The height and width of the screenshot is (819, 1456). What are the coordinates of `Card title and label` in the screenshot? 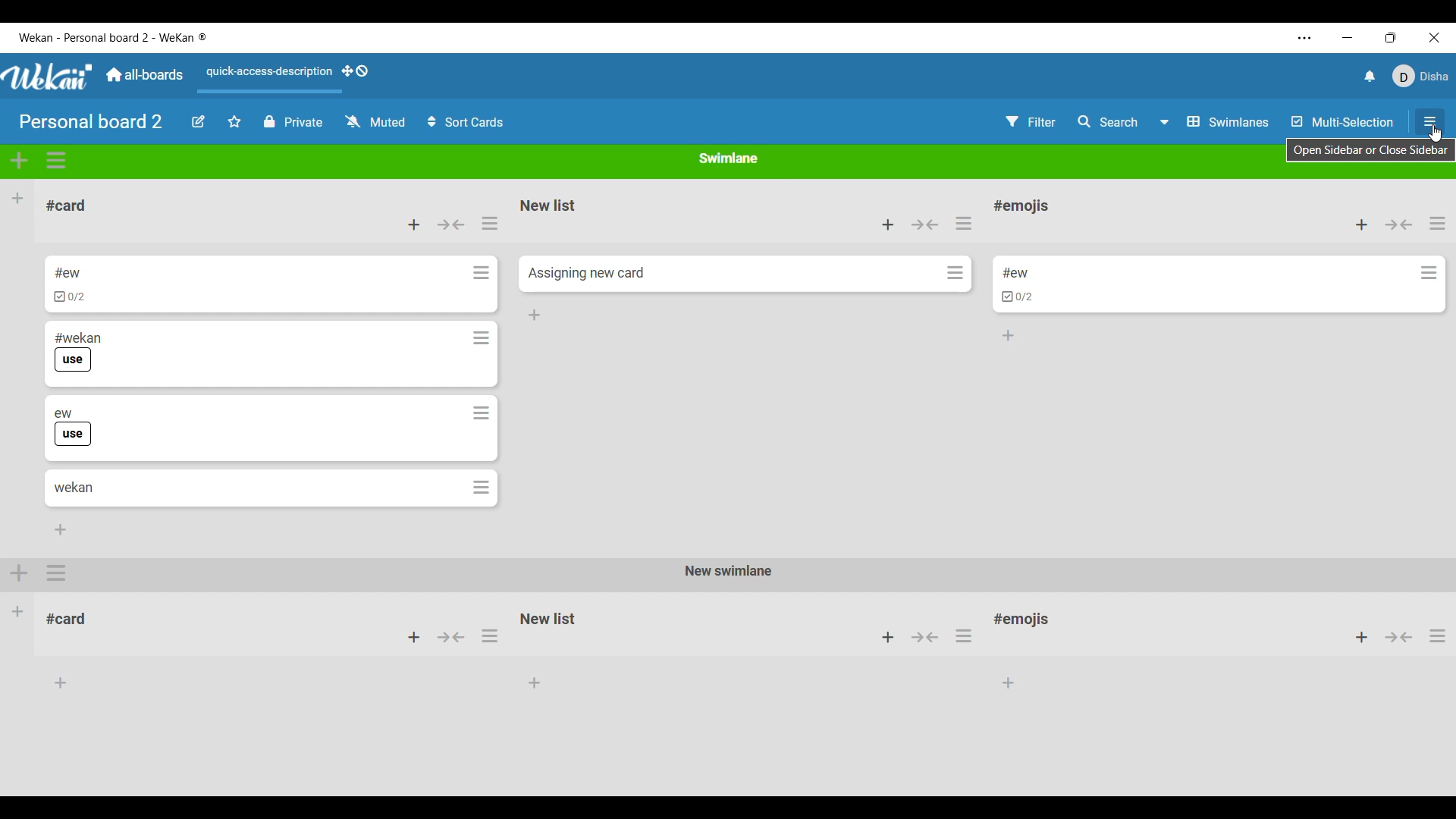 It's located at (77, 352).